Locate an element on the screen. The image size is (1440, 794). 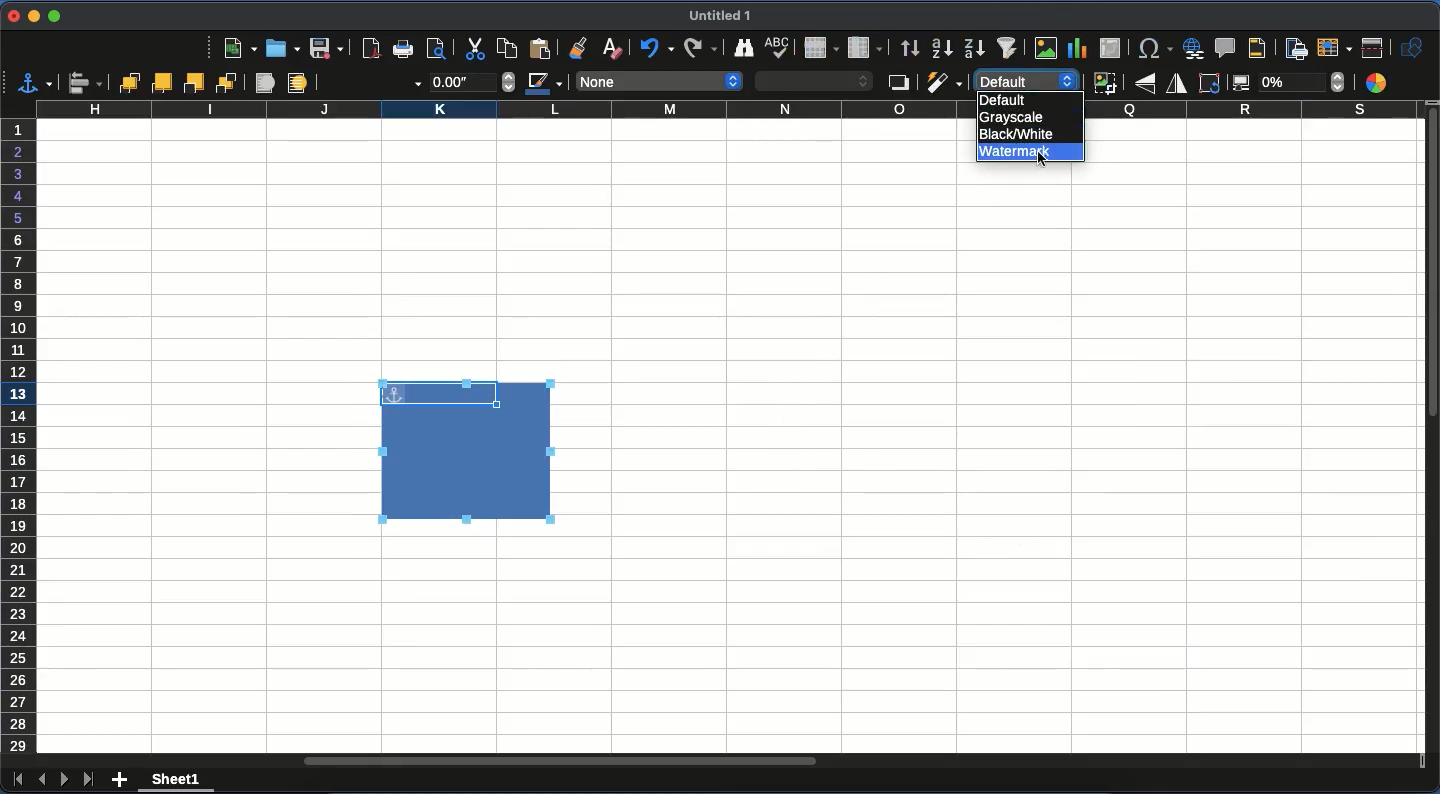
vertical scroll  bar is located at coordinates (1431, 269).